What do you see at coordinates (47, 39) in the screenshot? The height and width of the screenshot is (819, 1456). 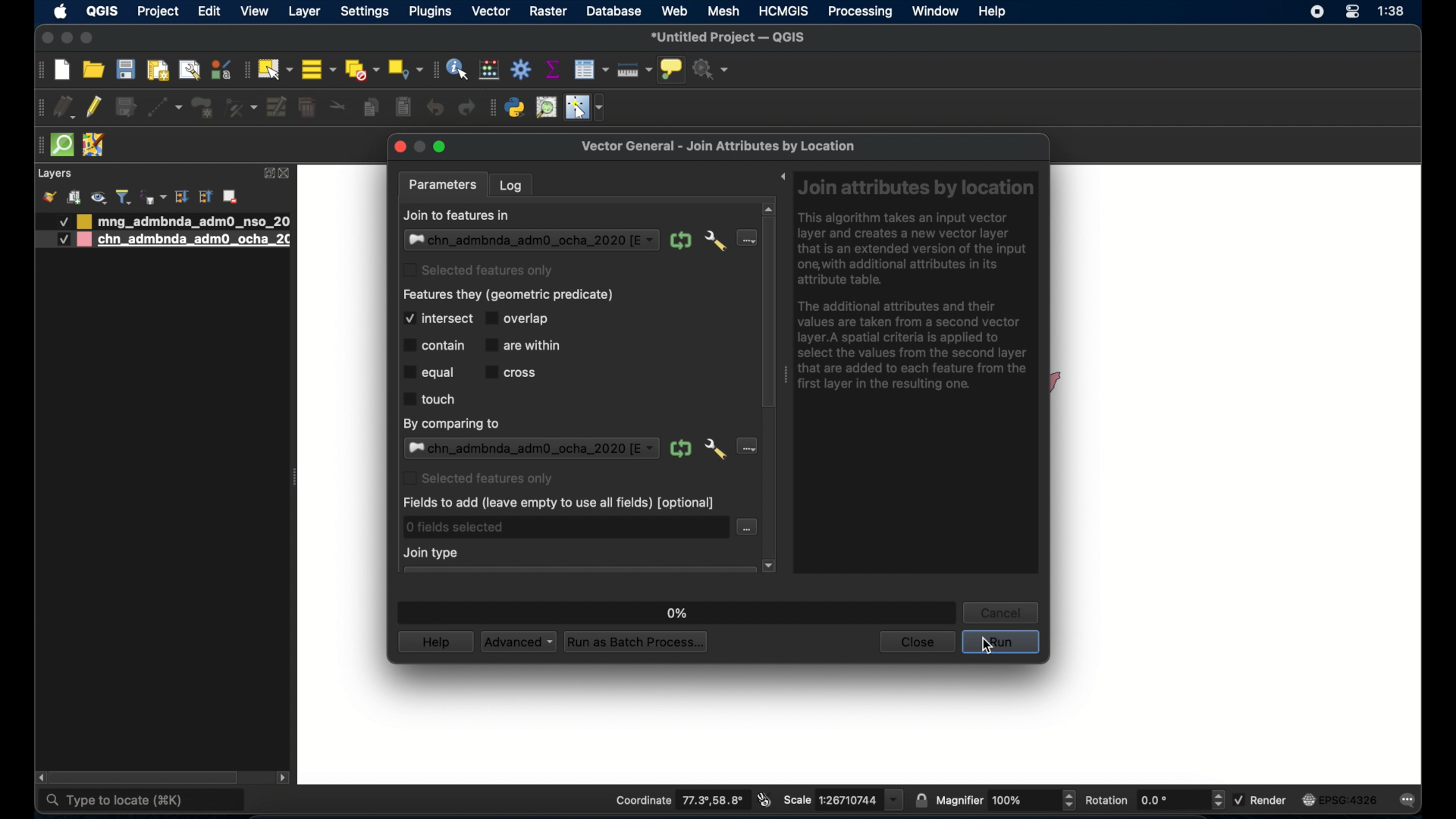 I see `close` at bounding box center [47, 39].